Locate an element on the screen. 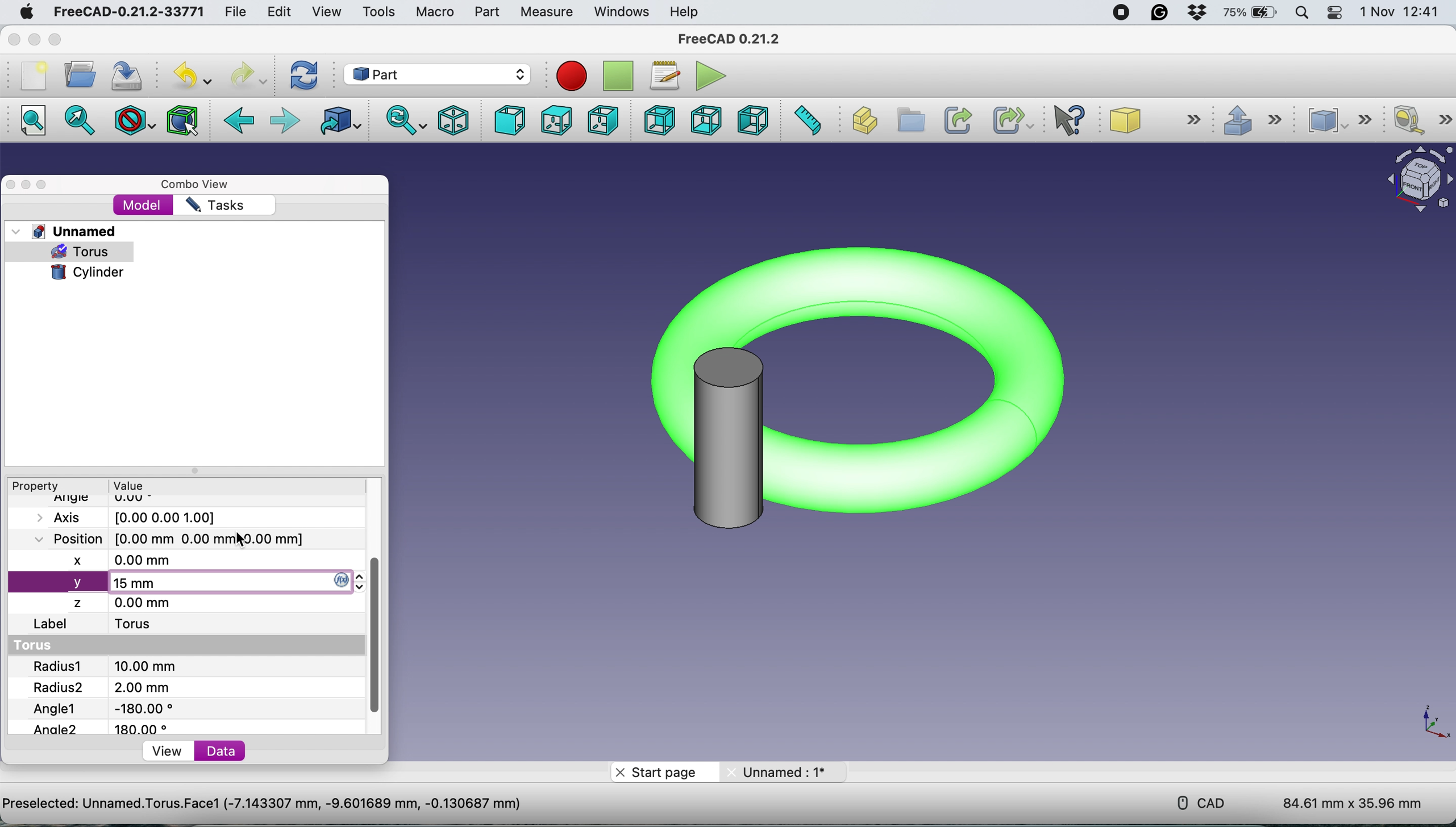  maximise is located at coordinates (44, 185).